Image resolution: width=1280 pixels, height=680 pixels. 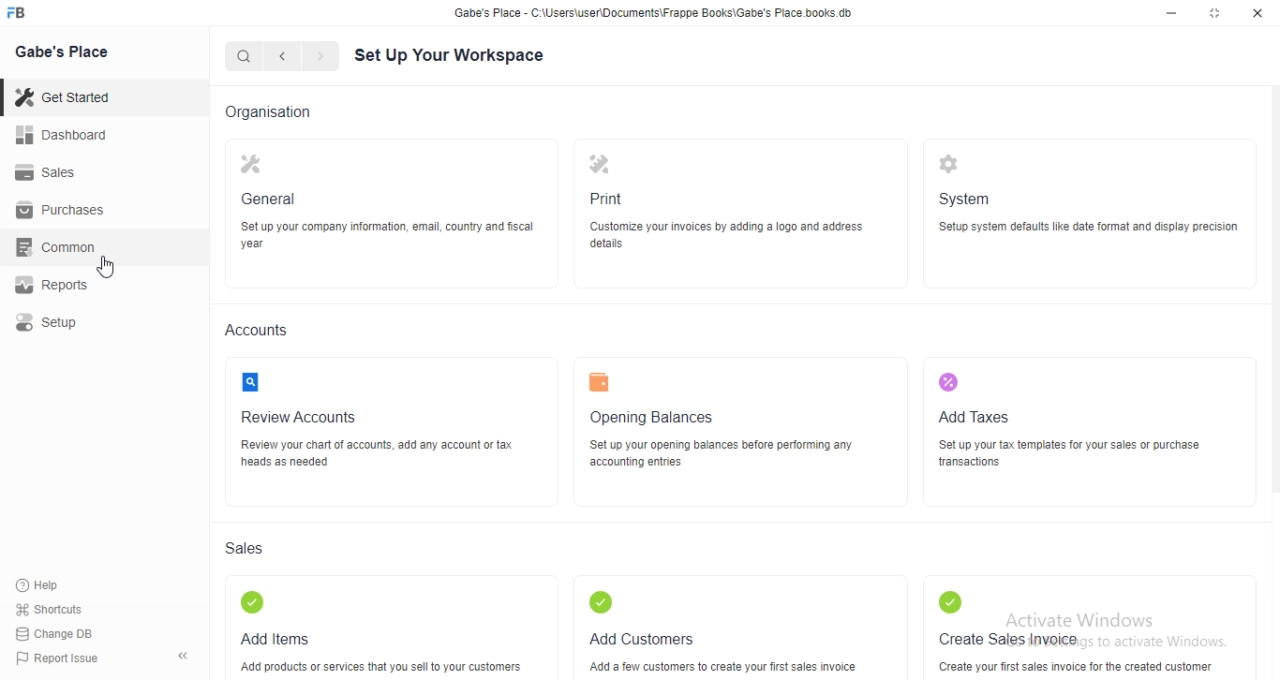 What do you see at coordinates (950, 603) in the screenshot?
I see `tick mark` at bounding box center [950, 603].